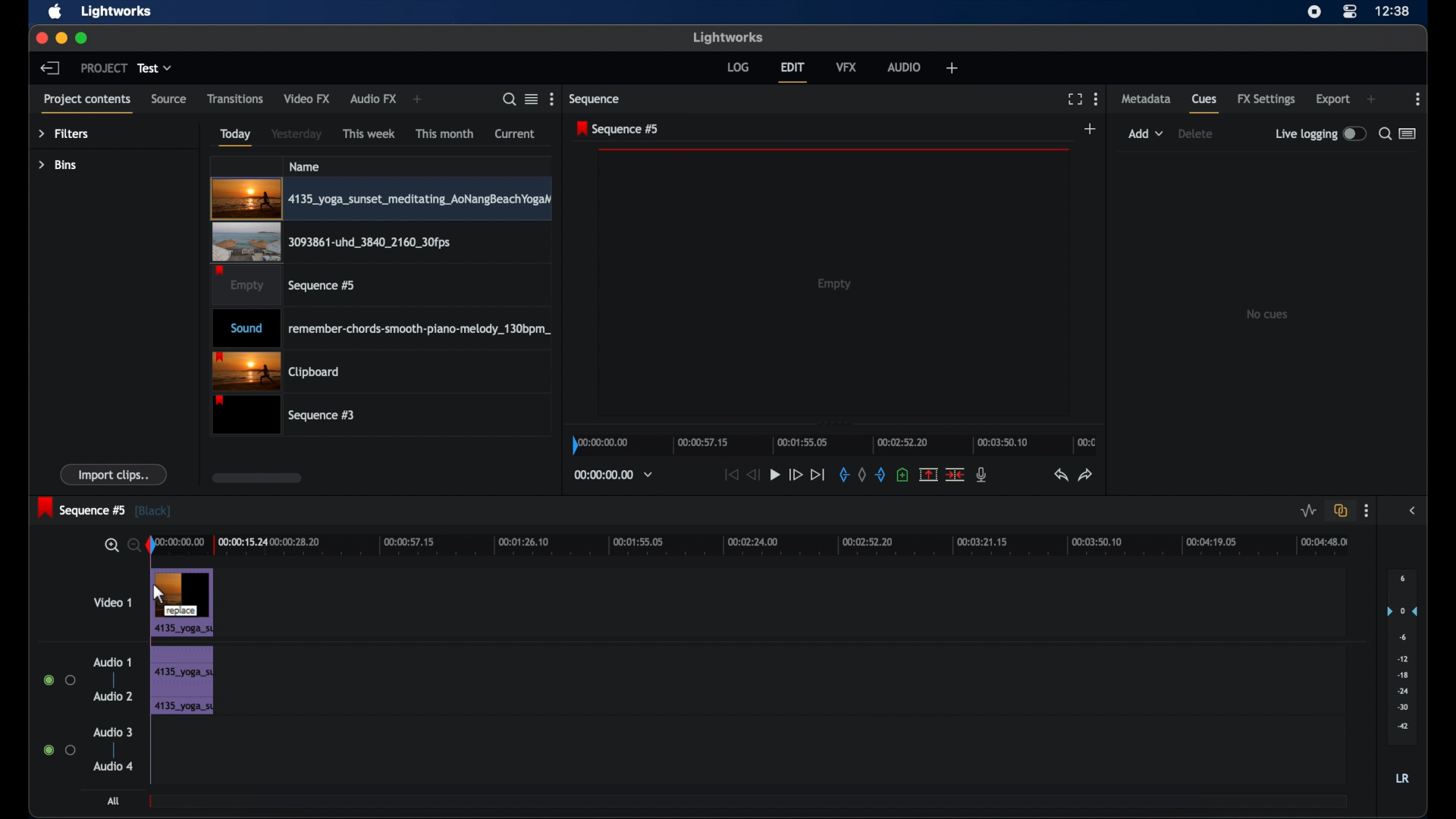 The image size is (1456, 819). Describe the element at coordinates (235, 99) in the screenshot. I see `transitions` at that location.